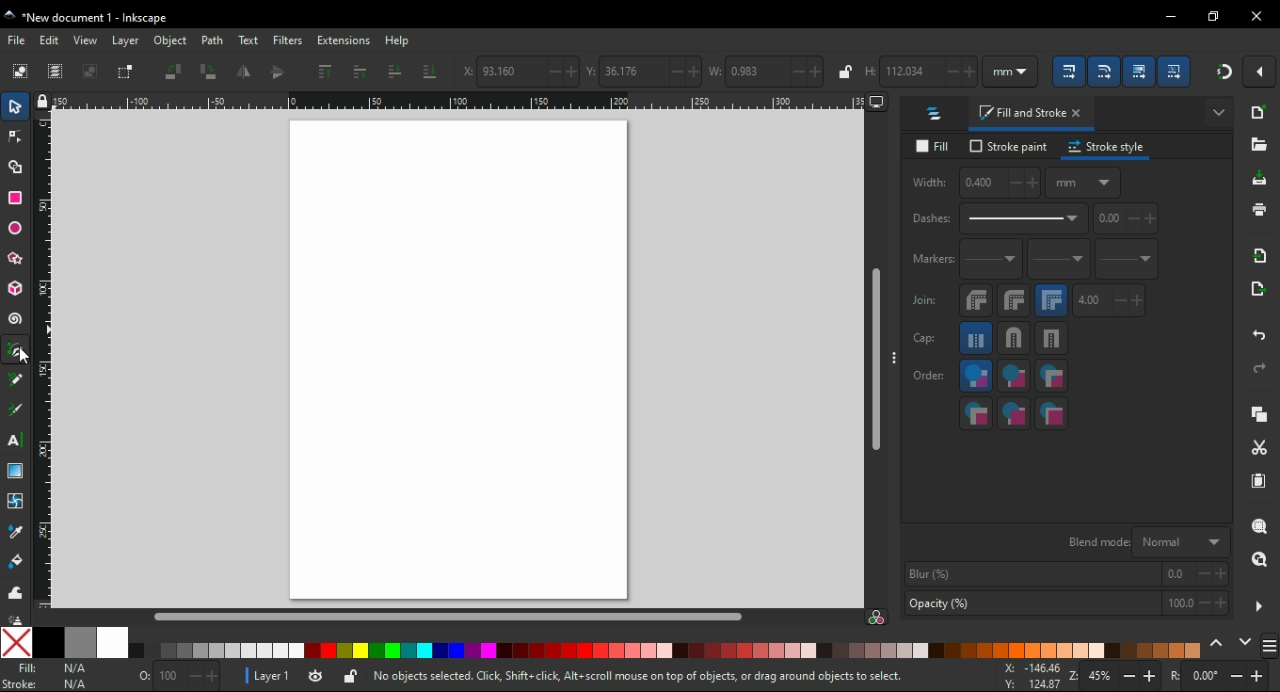 The height and width of the screenshot is (692, 1280). I want to click on height of selection, so click(920, 71).